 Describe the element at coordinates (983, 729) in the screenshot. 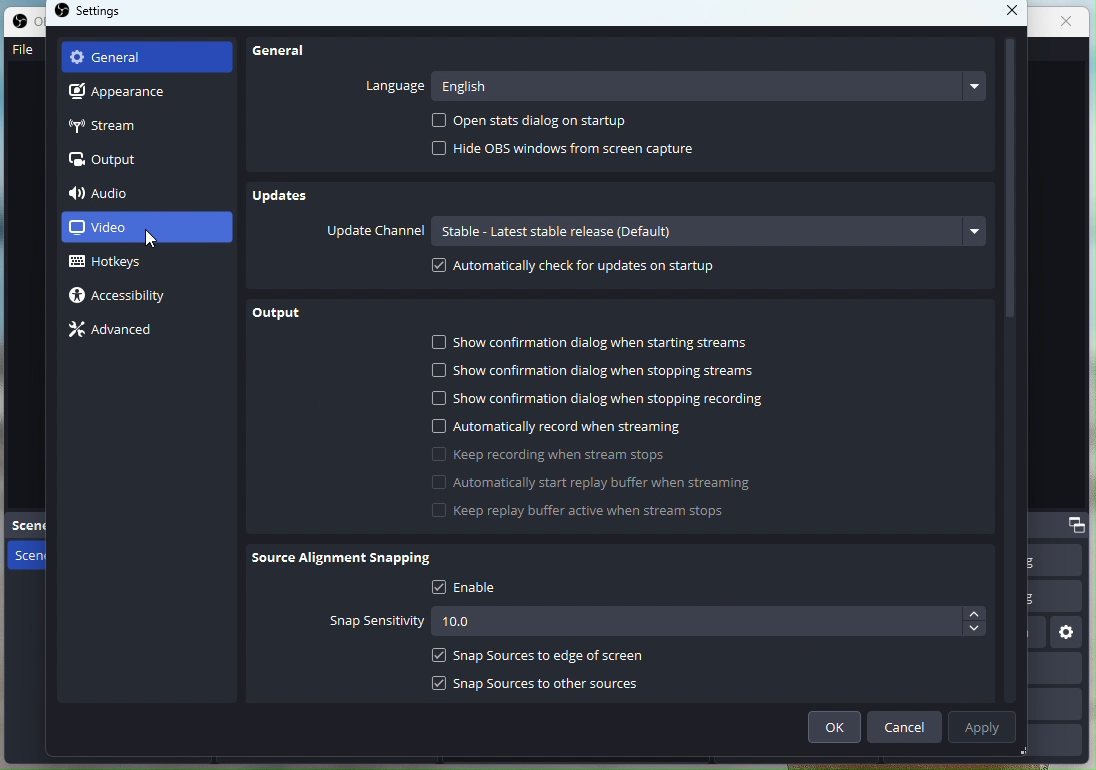

I see `Apply` at that location.